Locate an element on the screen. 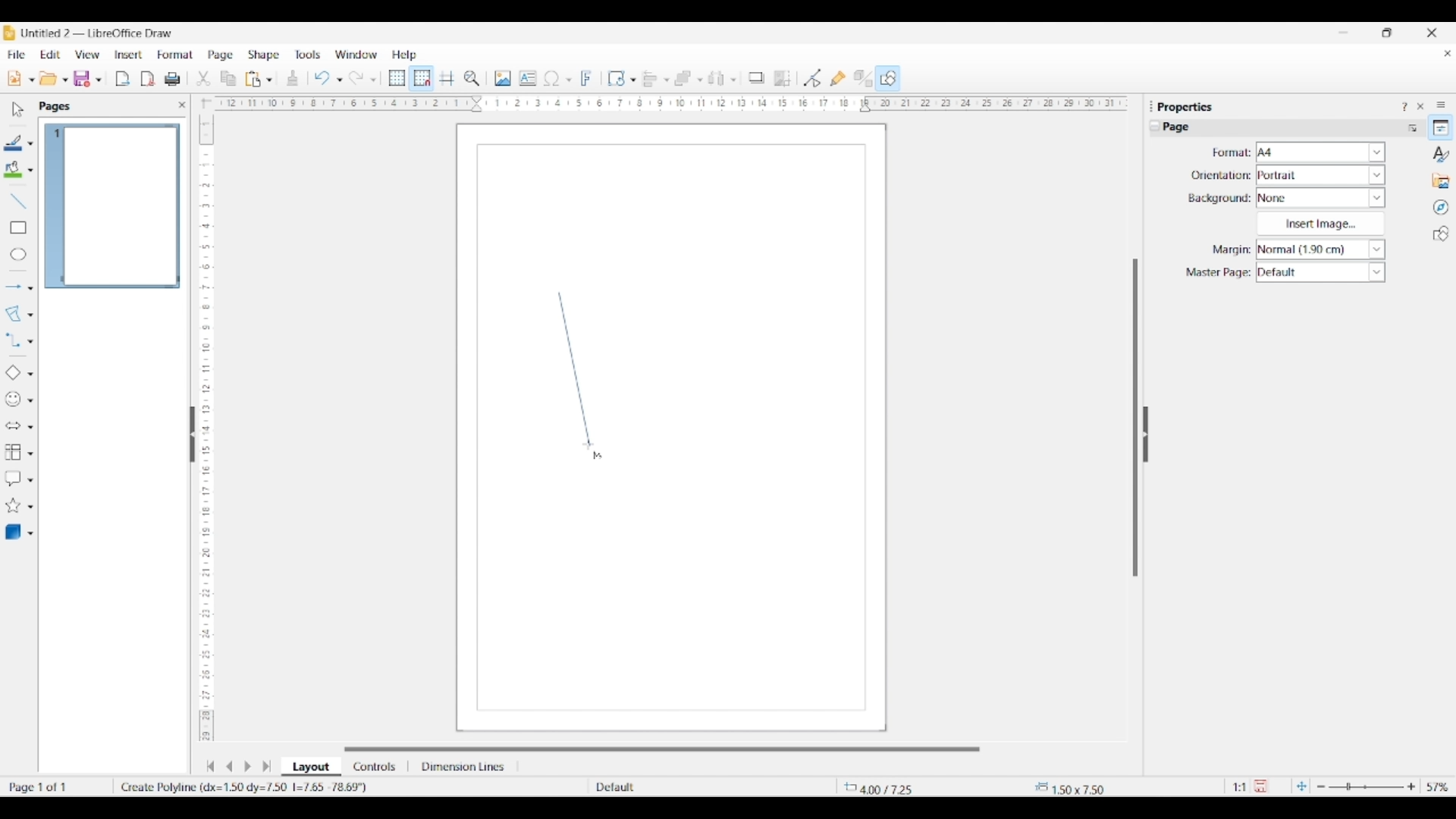  Clone formatting is located at coordinates (293, 78).